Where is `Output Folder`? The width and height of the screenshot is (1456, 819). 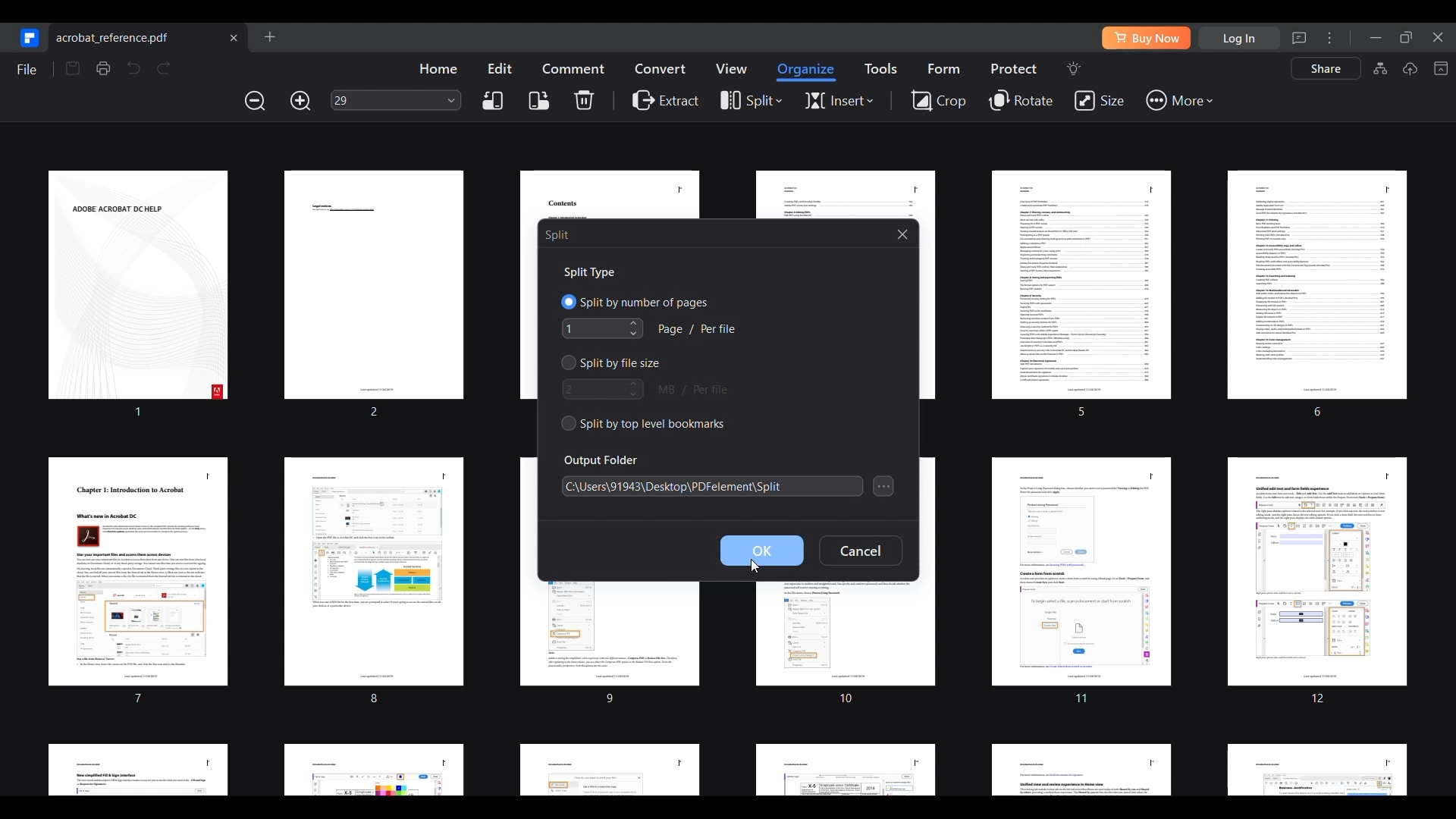
Output Folder is located at coordinates (600, 459).